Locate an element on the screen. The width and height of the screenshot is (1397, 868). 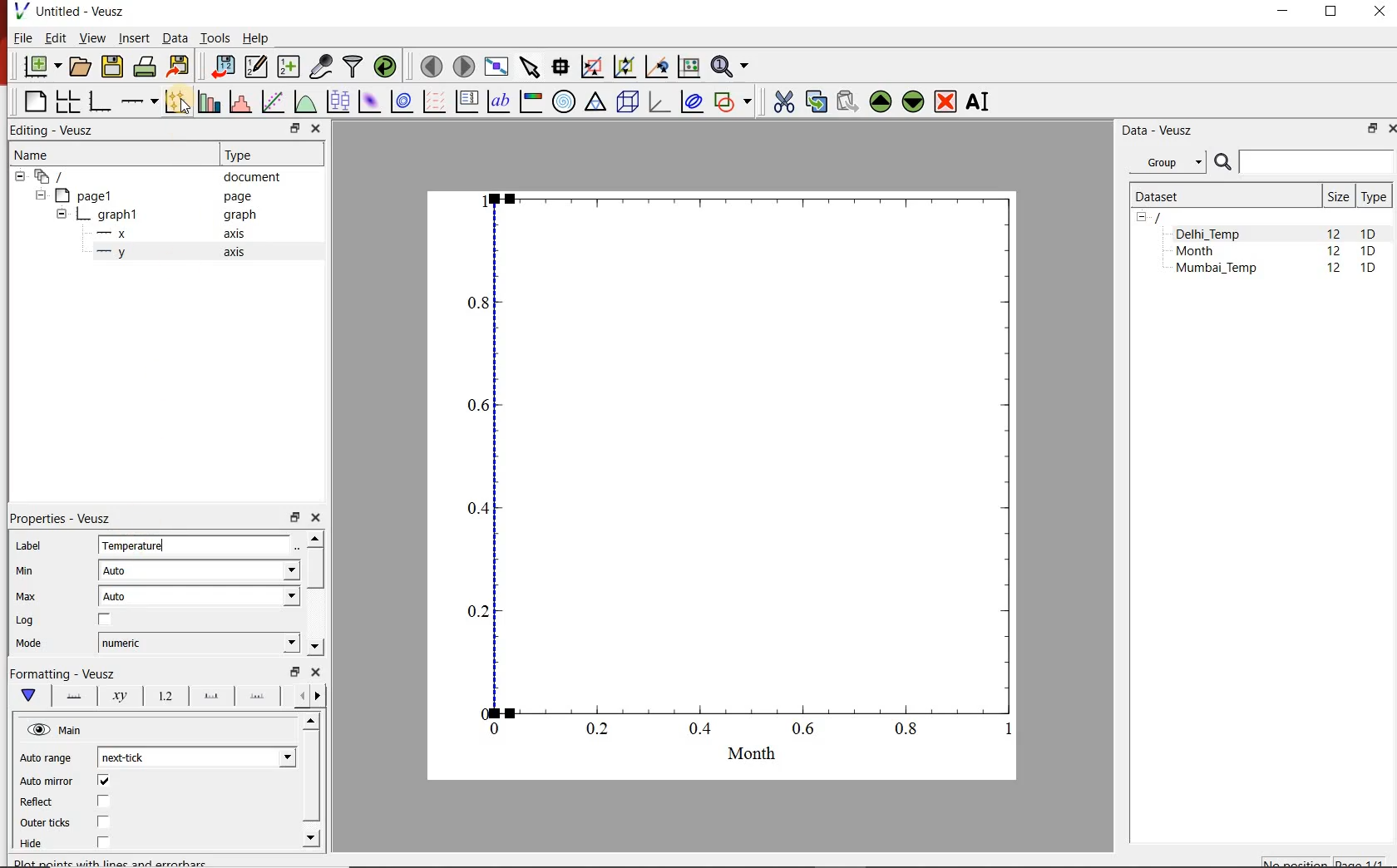
plot a vector field is located at coordinates (433, 102).